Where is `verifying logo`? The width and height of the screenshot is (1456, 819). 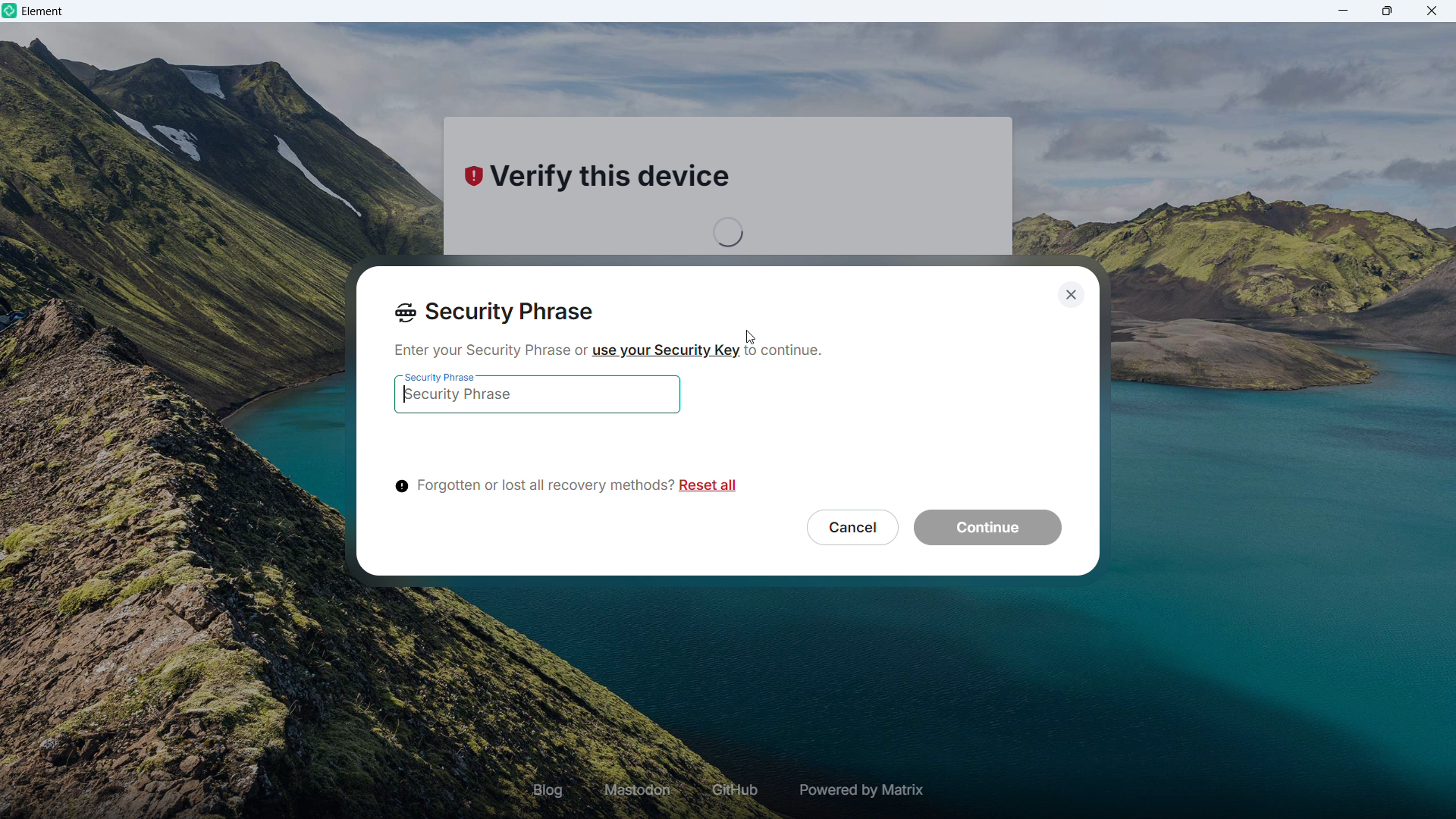
verifying logo is located at coordinates (470, 178).